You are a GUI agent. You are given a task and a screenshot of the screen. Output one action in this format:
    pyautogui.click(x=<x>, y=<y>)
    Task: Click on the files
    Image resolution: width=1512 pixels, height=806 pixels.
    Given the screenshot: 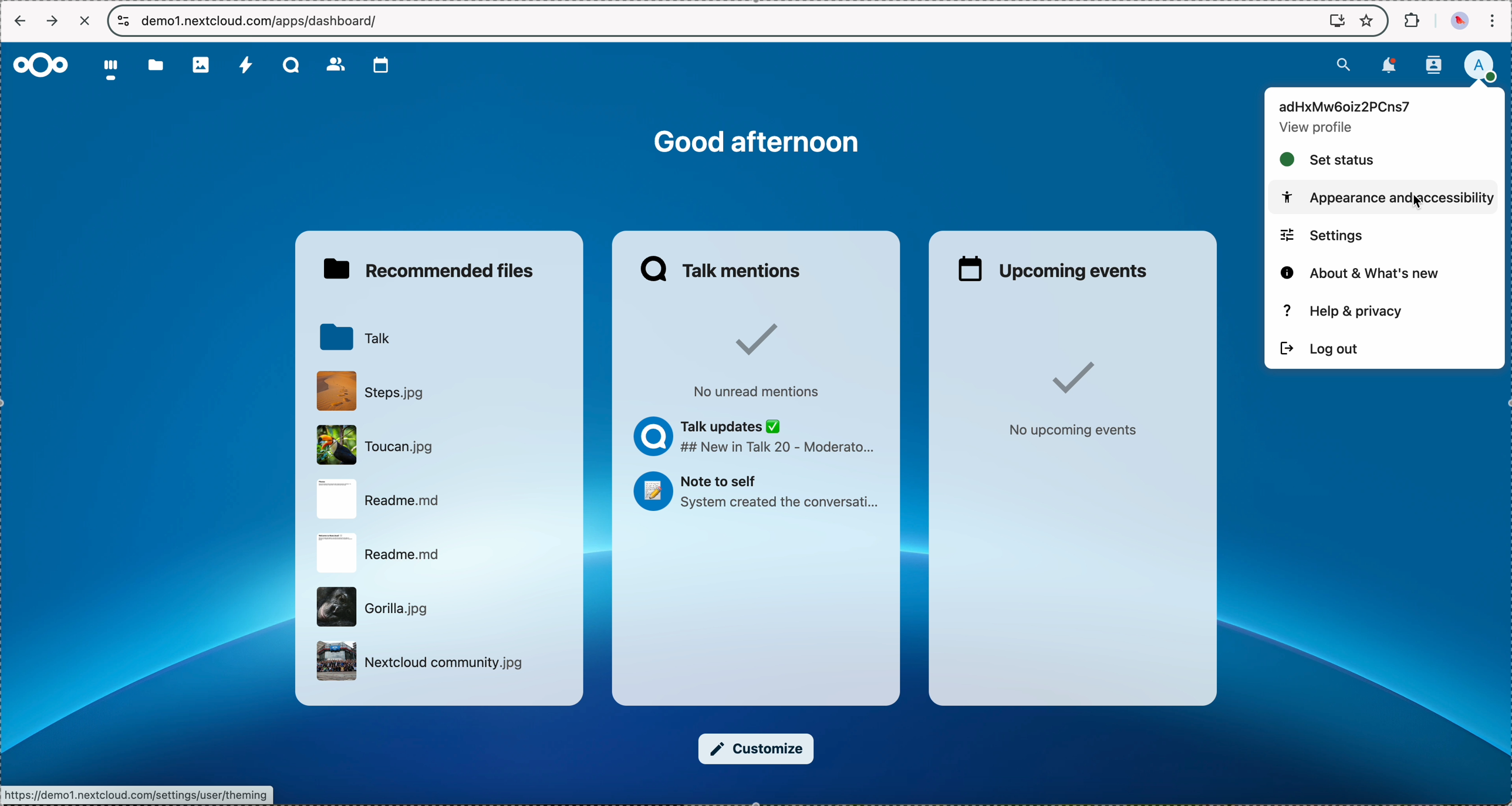 What is the action you would take?
    pyautogui.click(x=157, y=69)
    